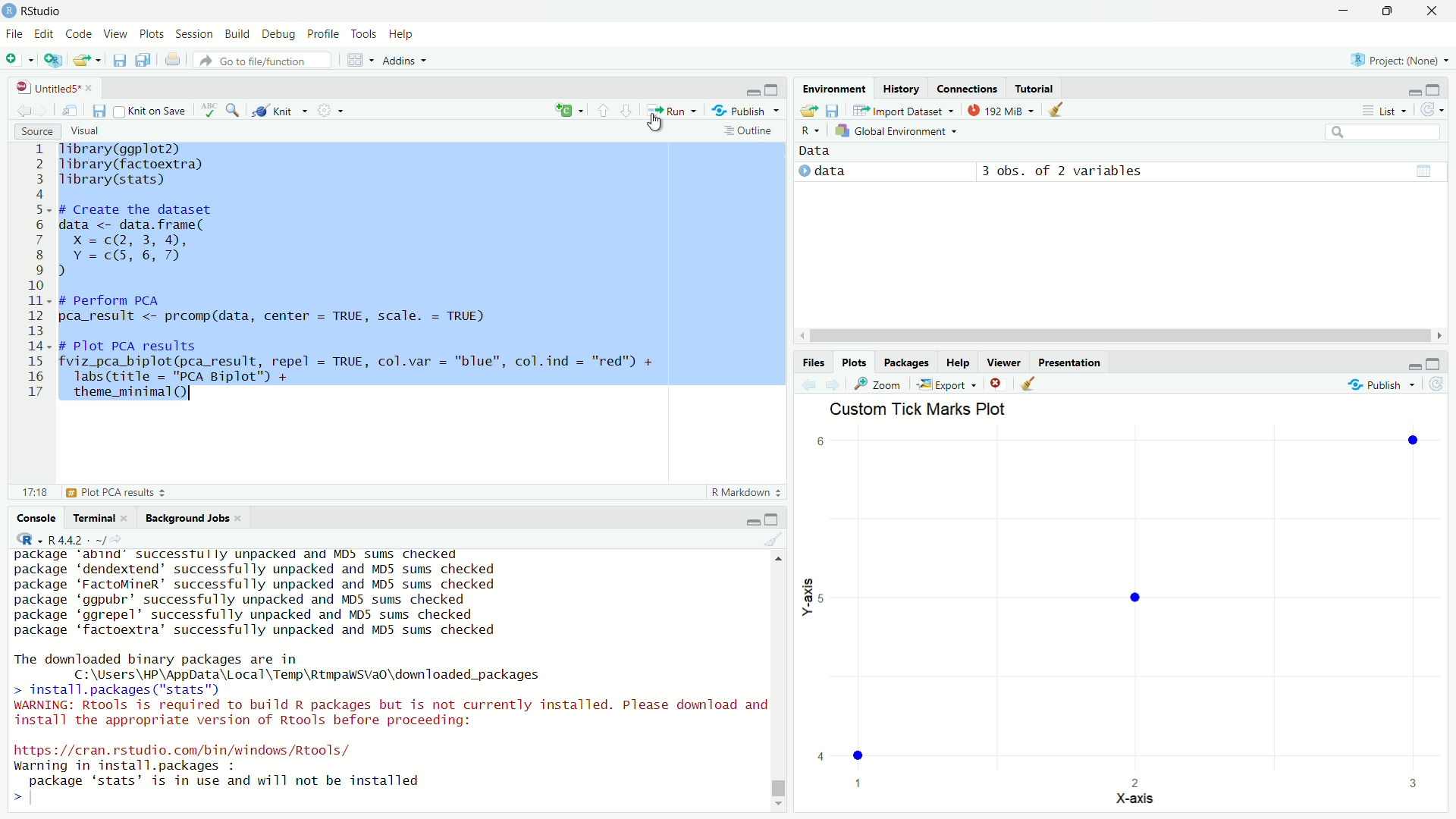  Describe the element at coordinates (880, 384) in the screenshot. I see `zoom` at that location.